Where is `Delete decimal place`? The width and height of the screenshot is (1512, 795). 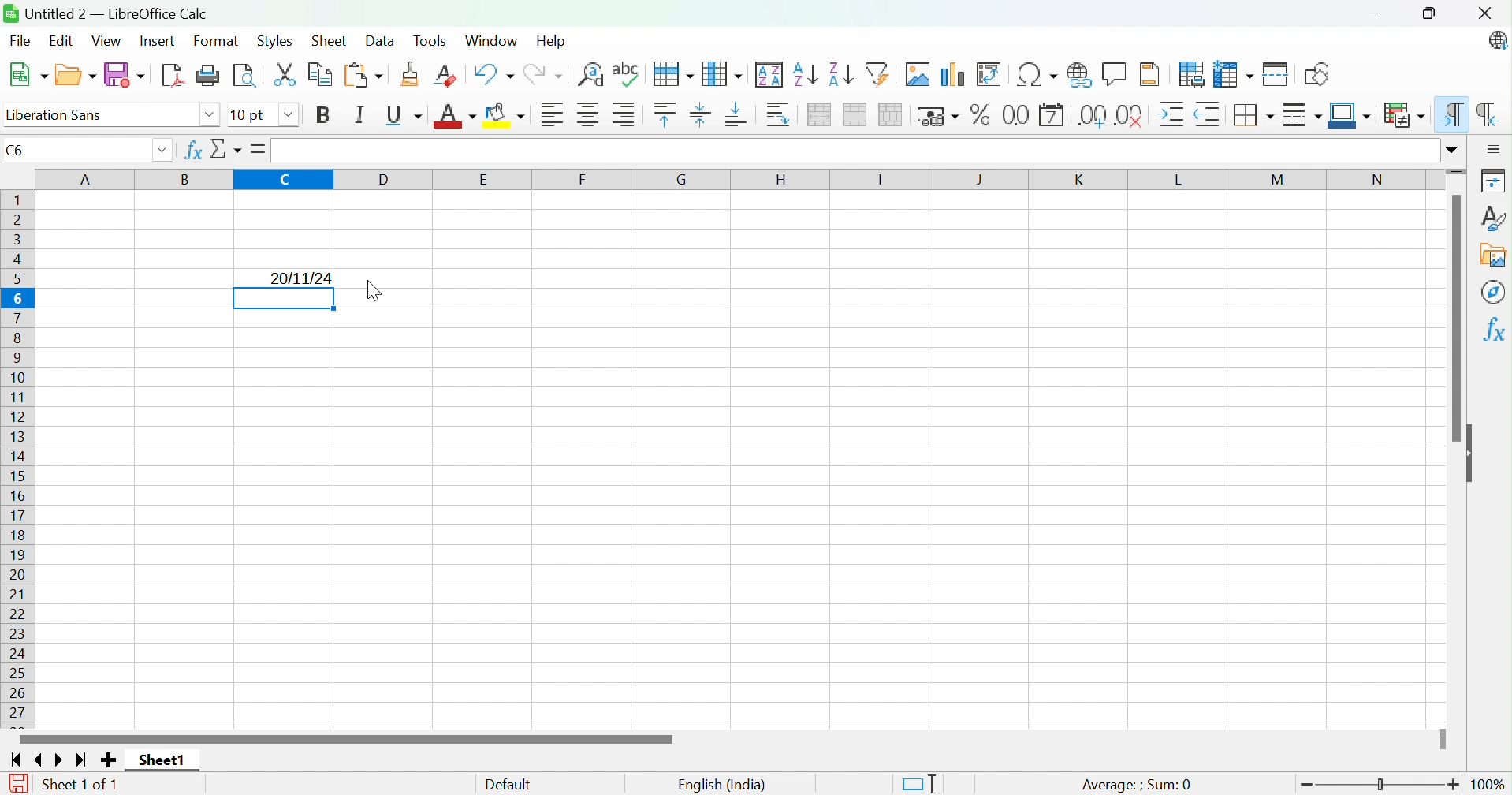
Delete decimal place is located at coordinates (1130, 116).